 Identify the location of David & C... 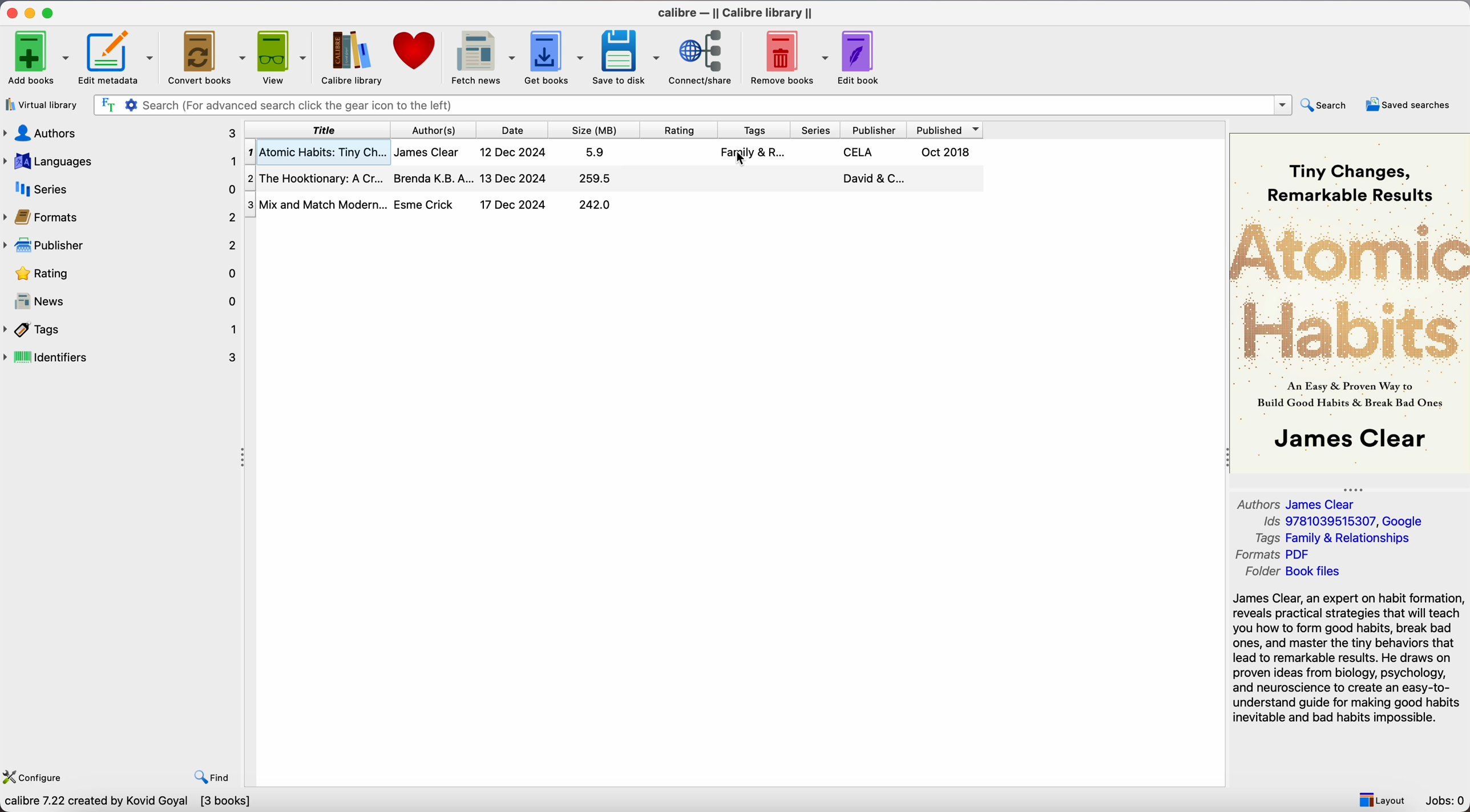
(871, 177).